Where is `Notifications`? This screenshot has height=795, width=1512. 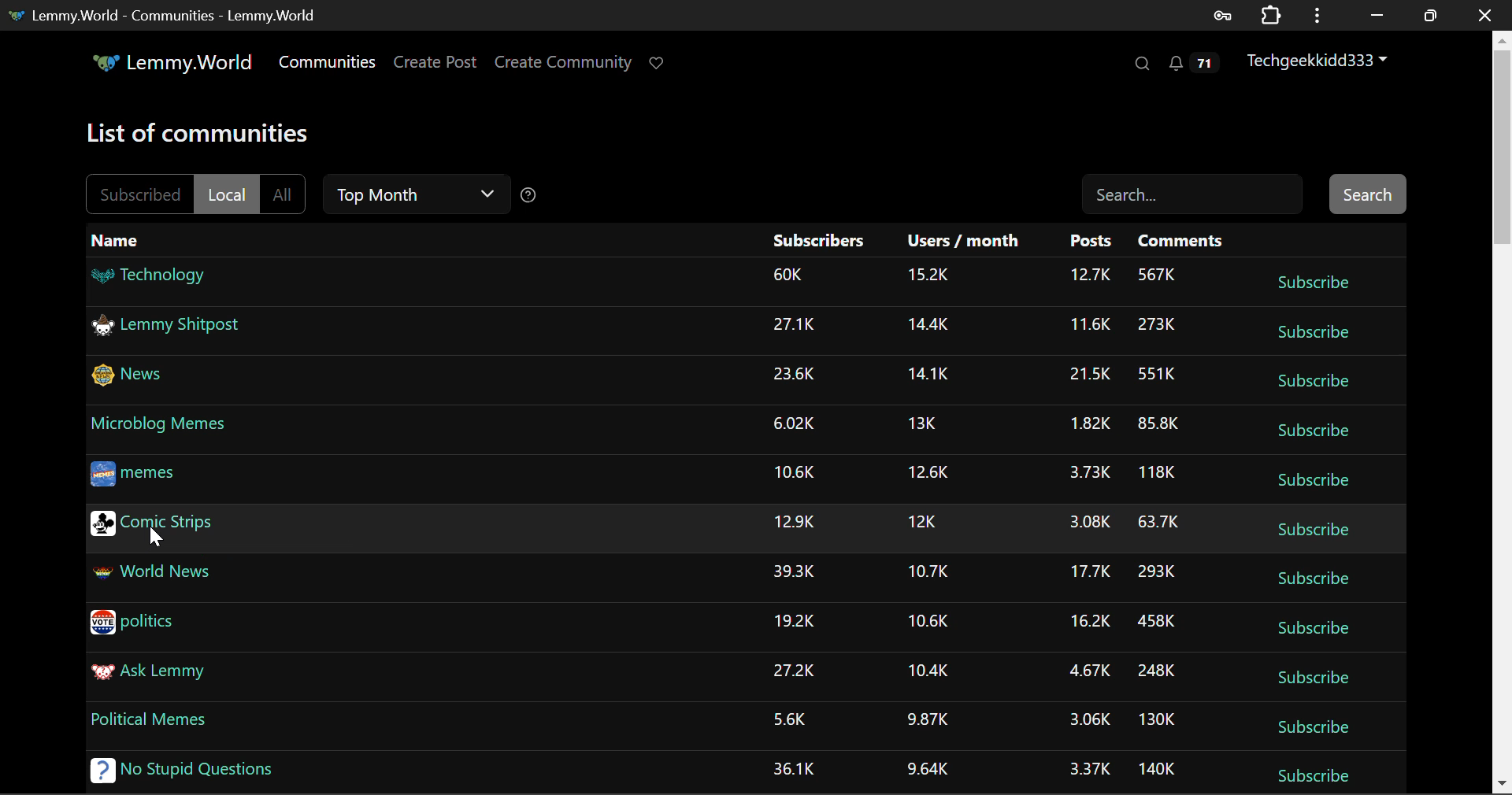
Notifications is located at coordinates (1190, 63).